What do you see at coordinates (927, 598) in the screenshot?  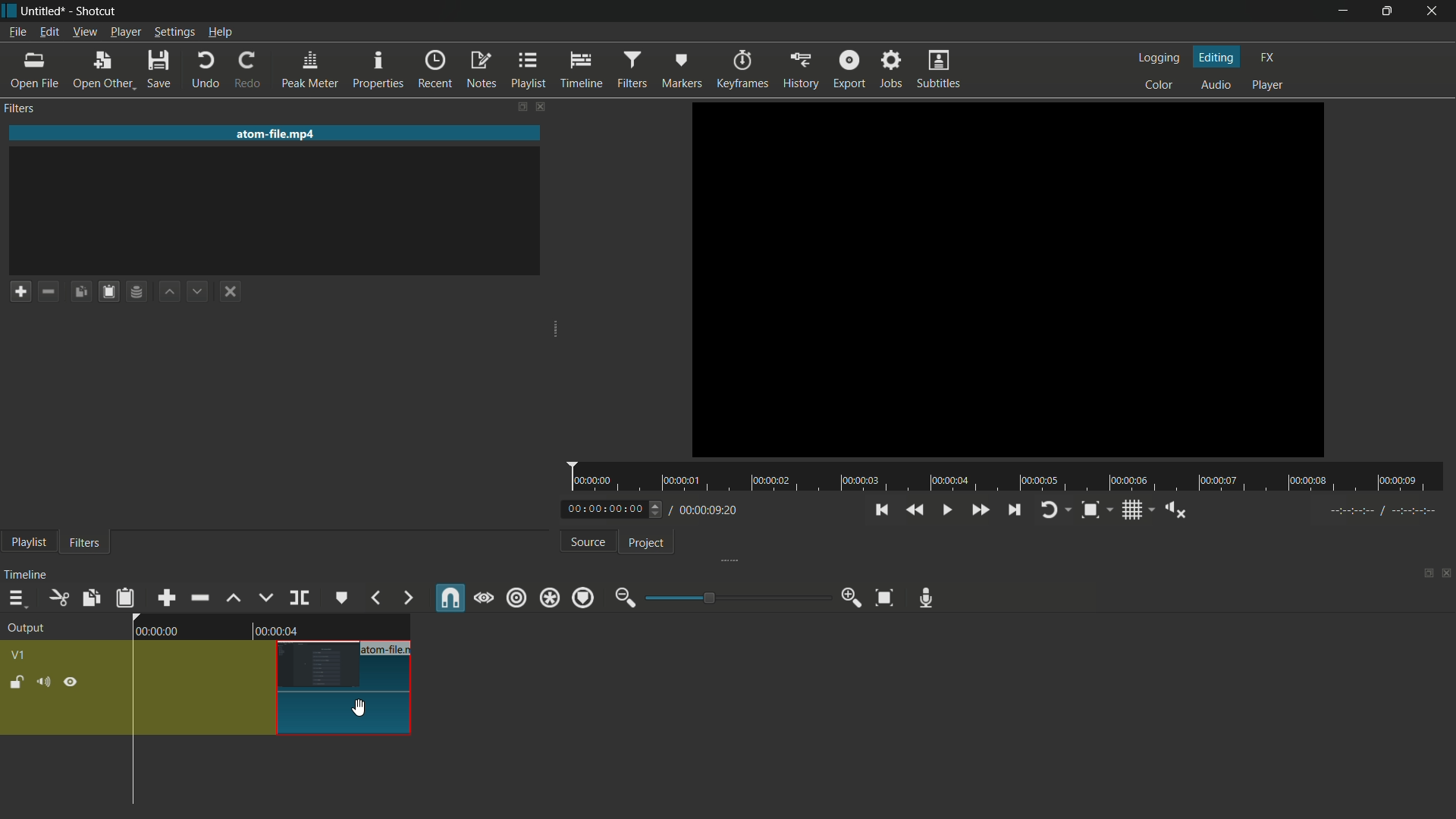 I see `record audio` at bounding box center [927, 598].